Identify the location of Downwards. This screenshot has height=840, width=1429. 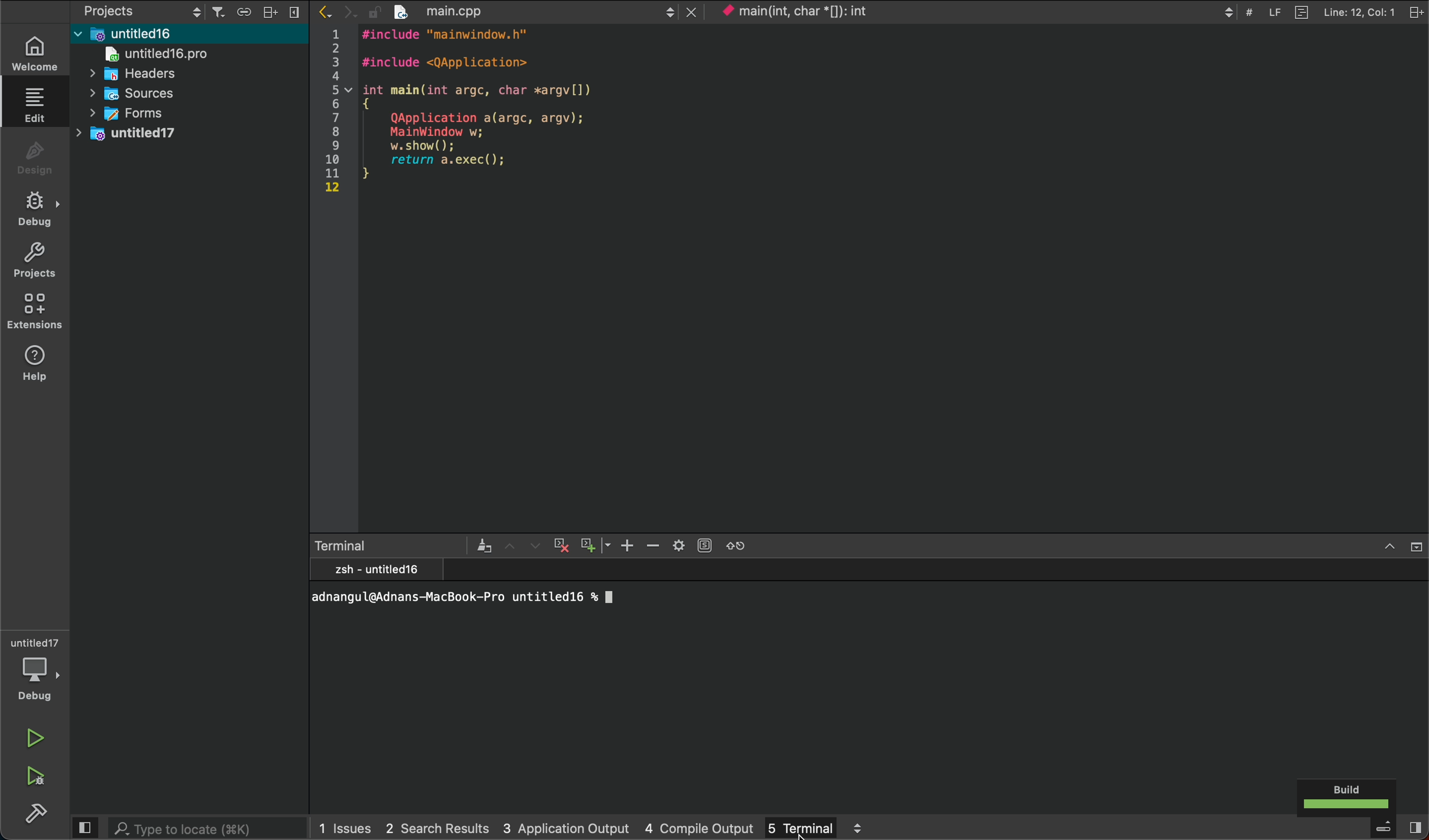
(534, 545).